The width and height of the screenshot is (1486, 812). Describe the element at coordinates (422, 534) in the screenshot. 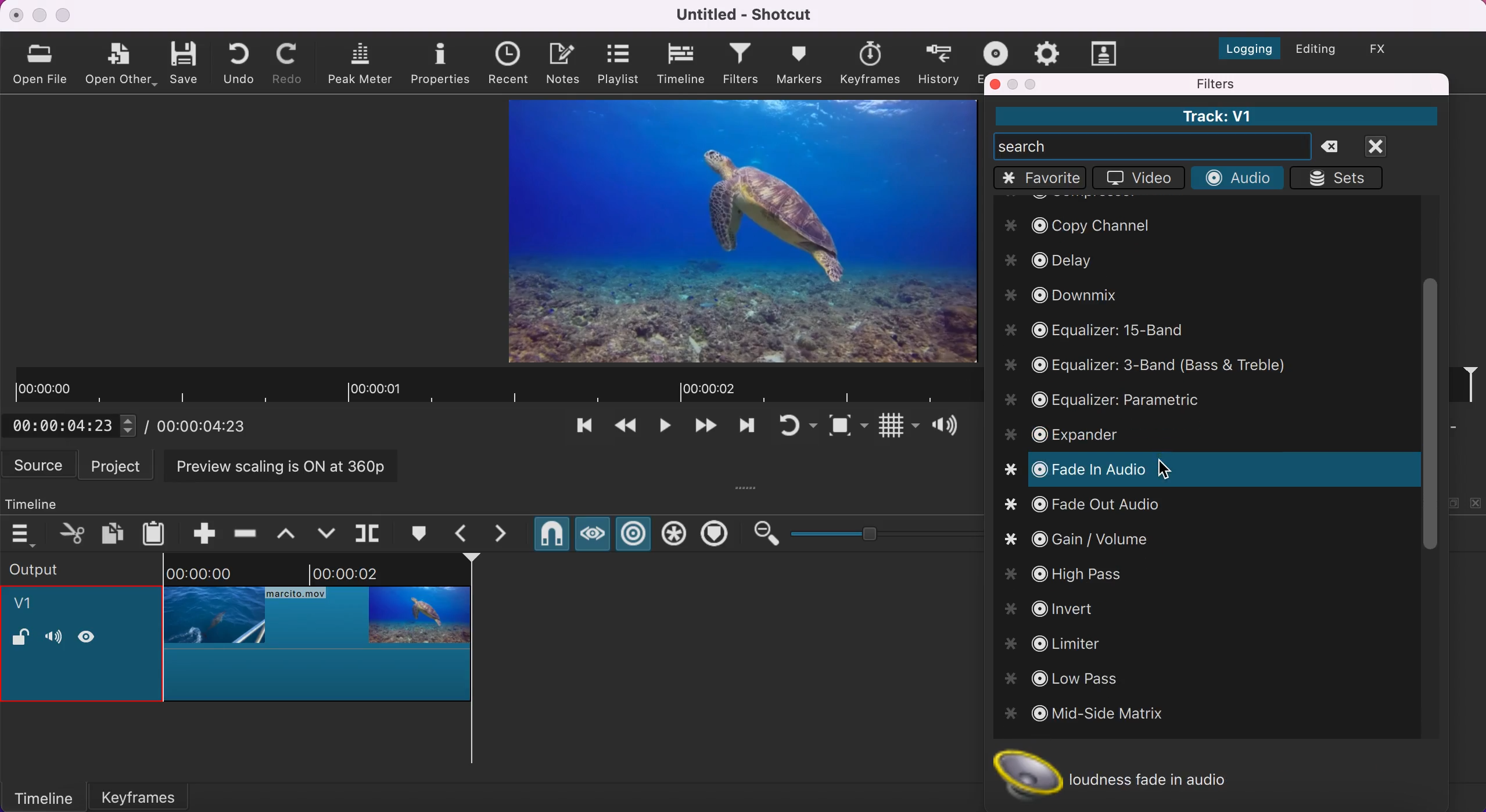

I see `create/edit marker` at that location.